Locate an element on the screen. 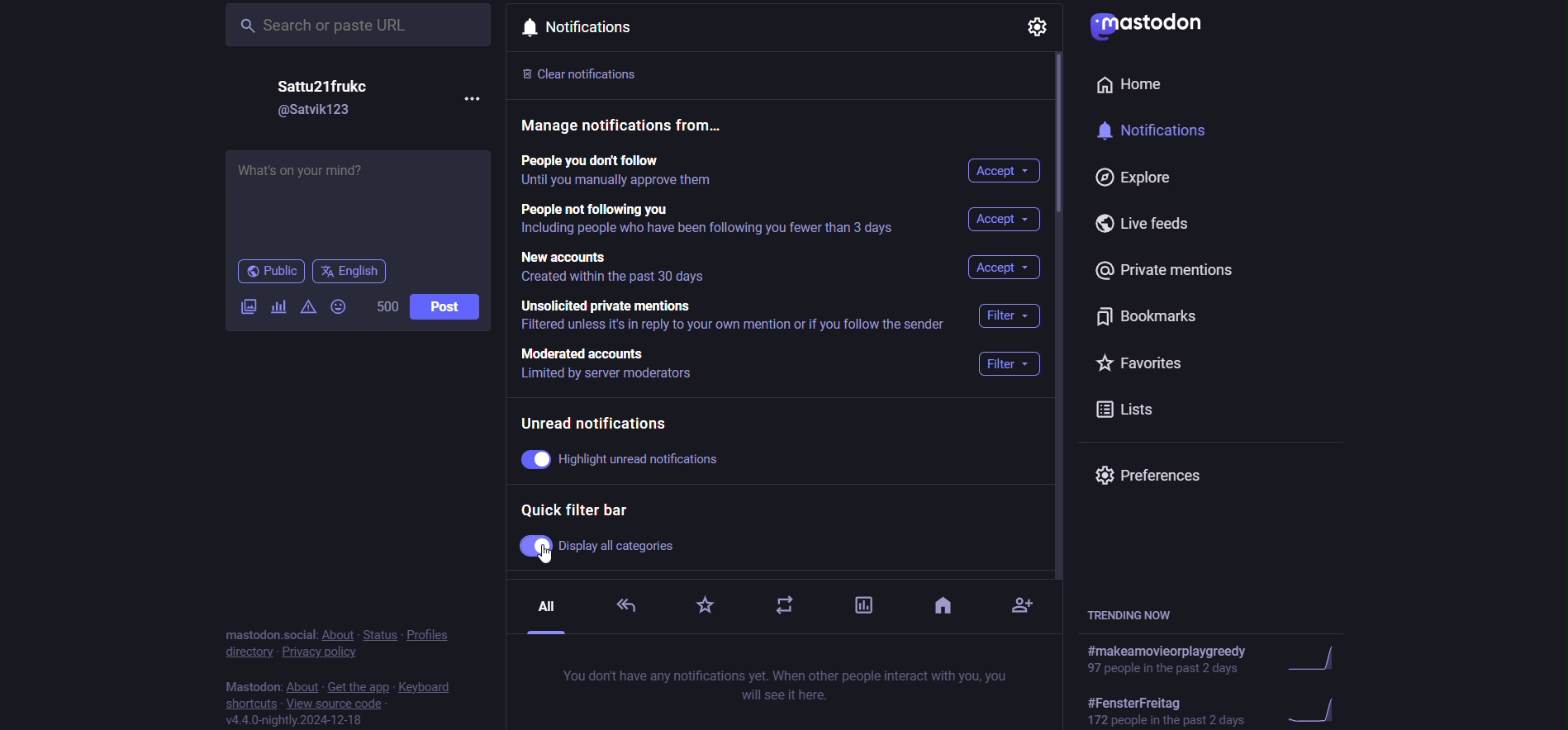 Image resolution: width=1568 pixels, height=730 pixels. preferences is located at coordinates (1157, 473).